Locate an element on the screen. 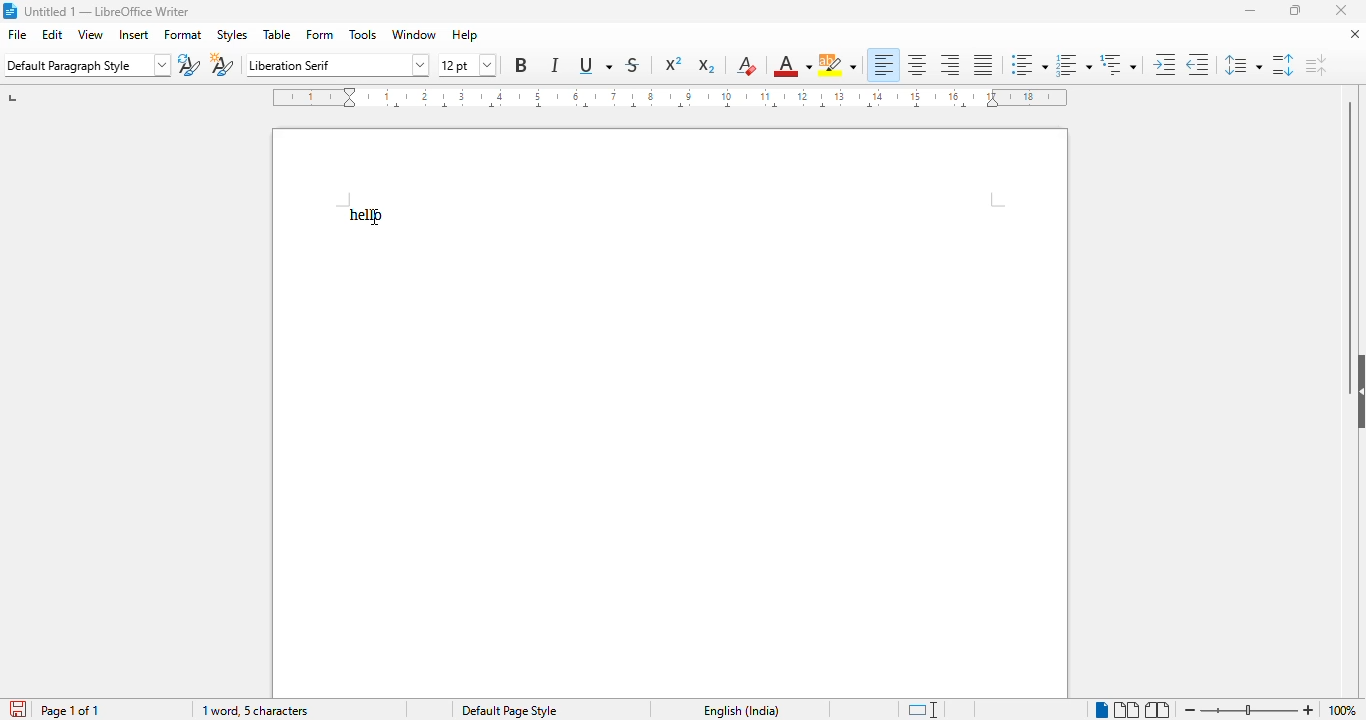 Image resolution: width=1366 pixels, height=720 pixels. vertical scroll bar is located at coordinates (1349, 224).